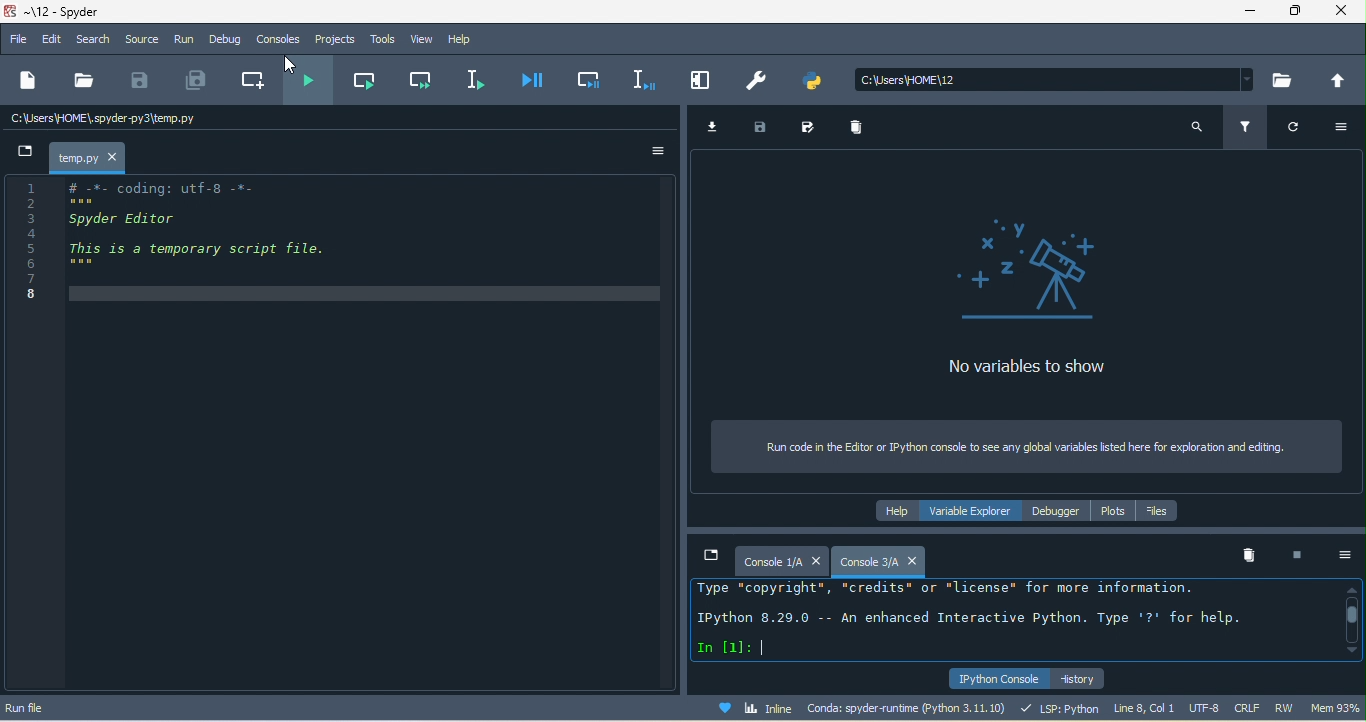 The image size is (1366, 722). What do you see at coordinates (336, 41) in the screenshot?
I see `projects` at bounding box center [336, 41].